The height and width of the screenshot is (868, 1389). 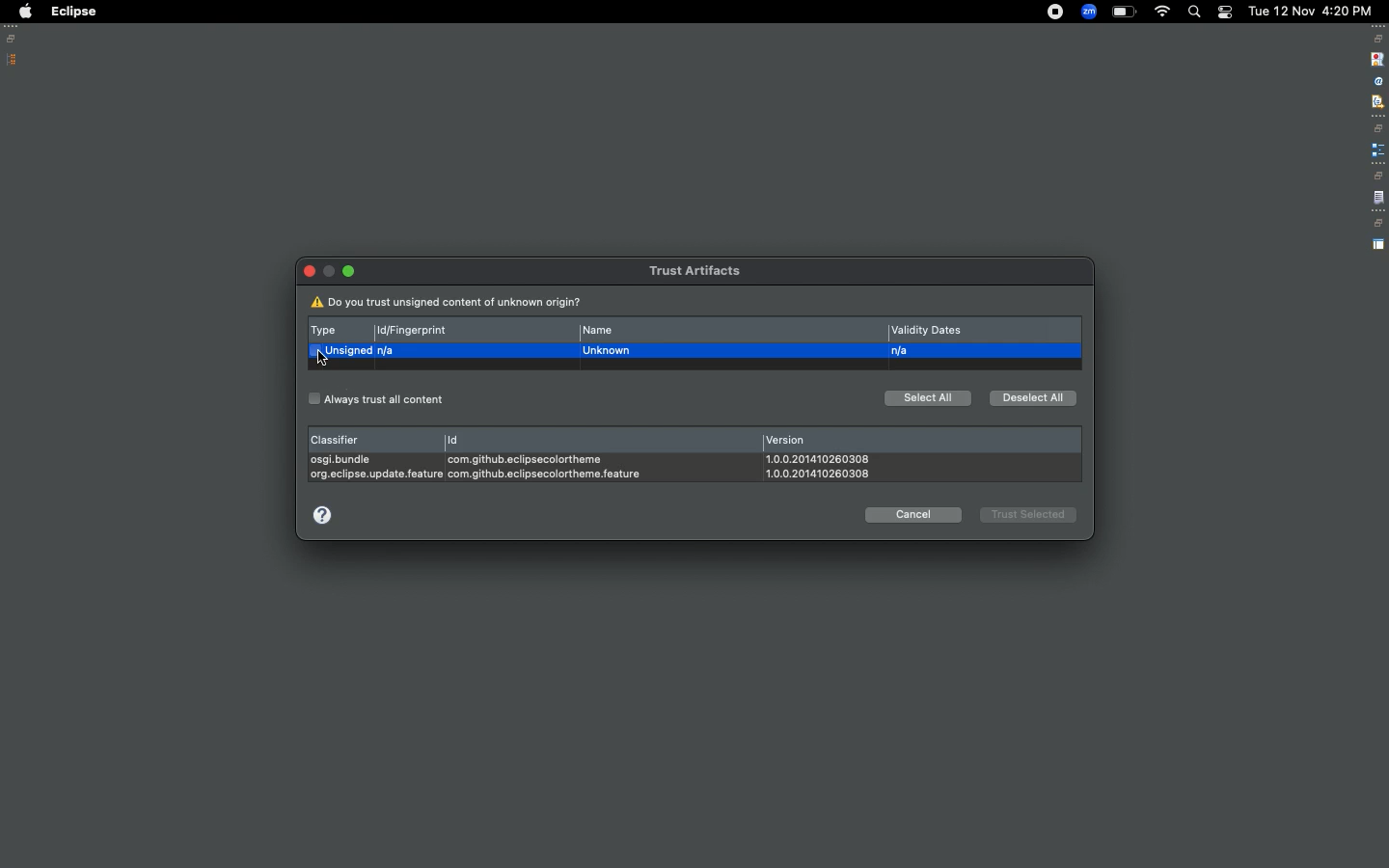 I want to click on extension point, so click(x=1377, y=149).